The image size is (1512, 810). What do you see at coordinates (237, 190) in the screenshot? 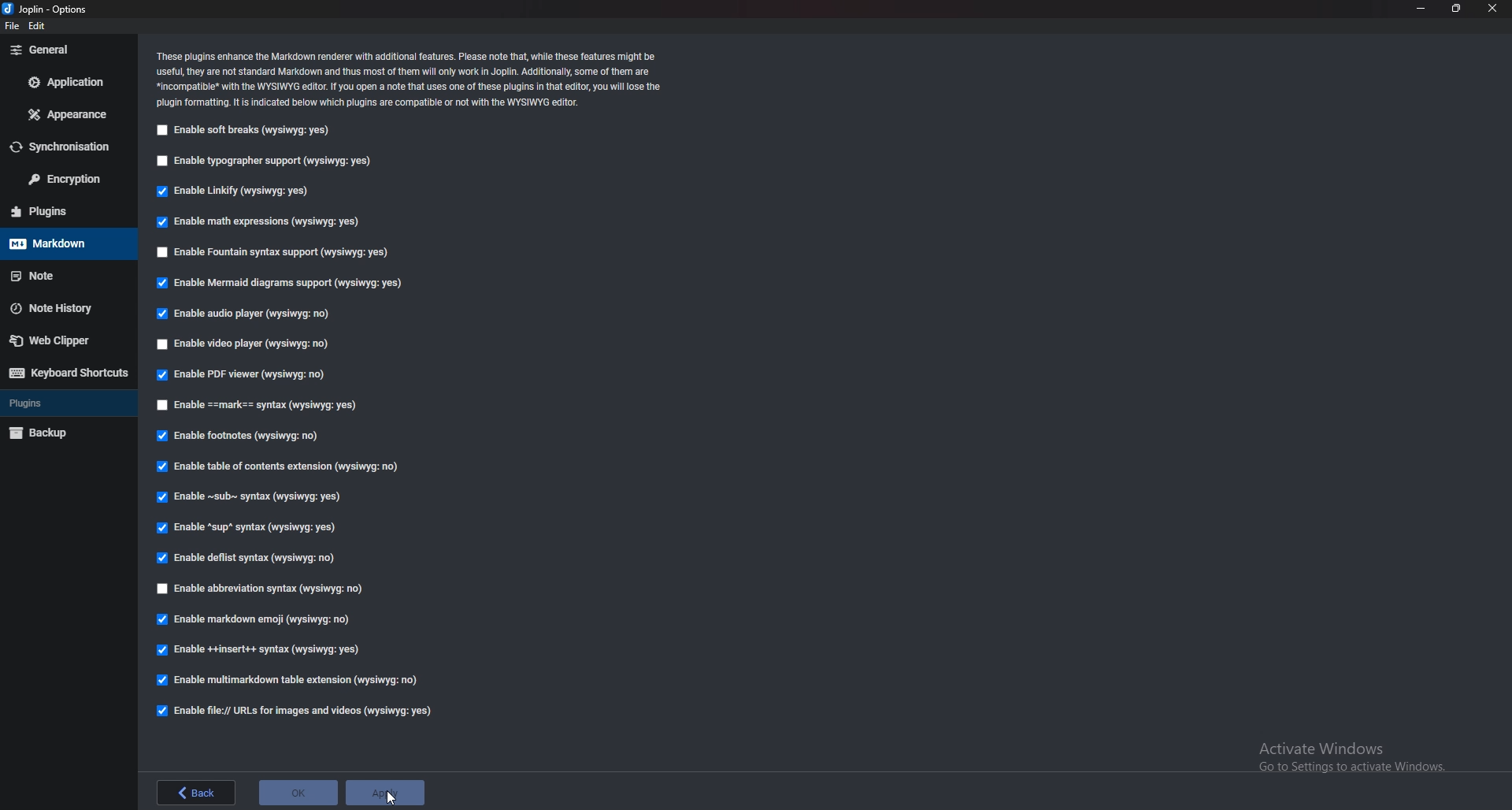
I see `Enable linkify` at bounding box center [237, 190].